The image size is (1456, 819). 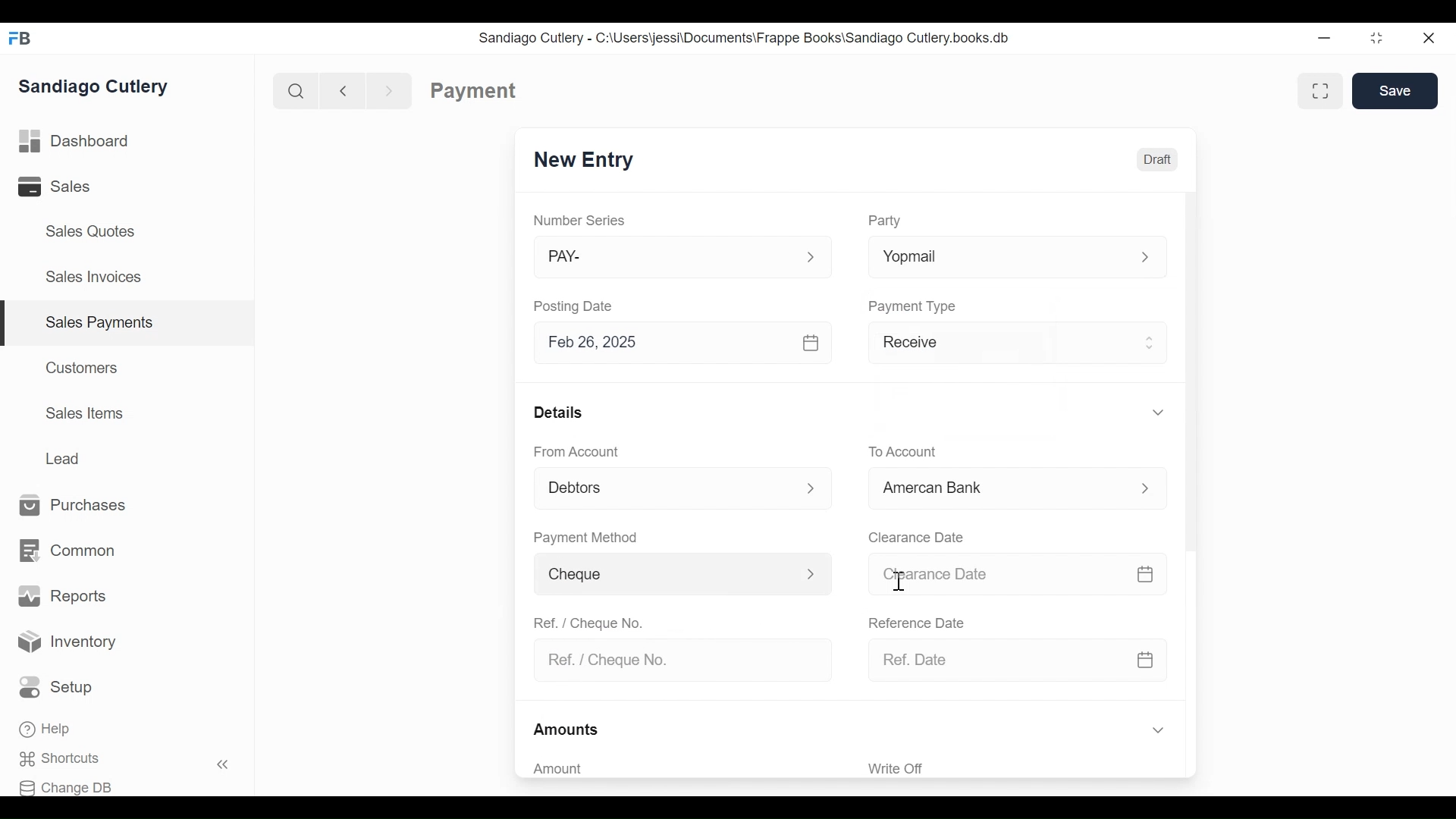 What do you see at coordinates (1157, 412) in the screenshot?
I see `Expand` at bounding box center [1157, 412].